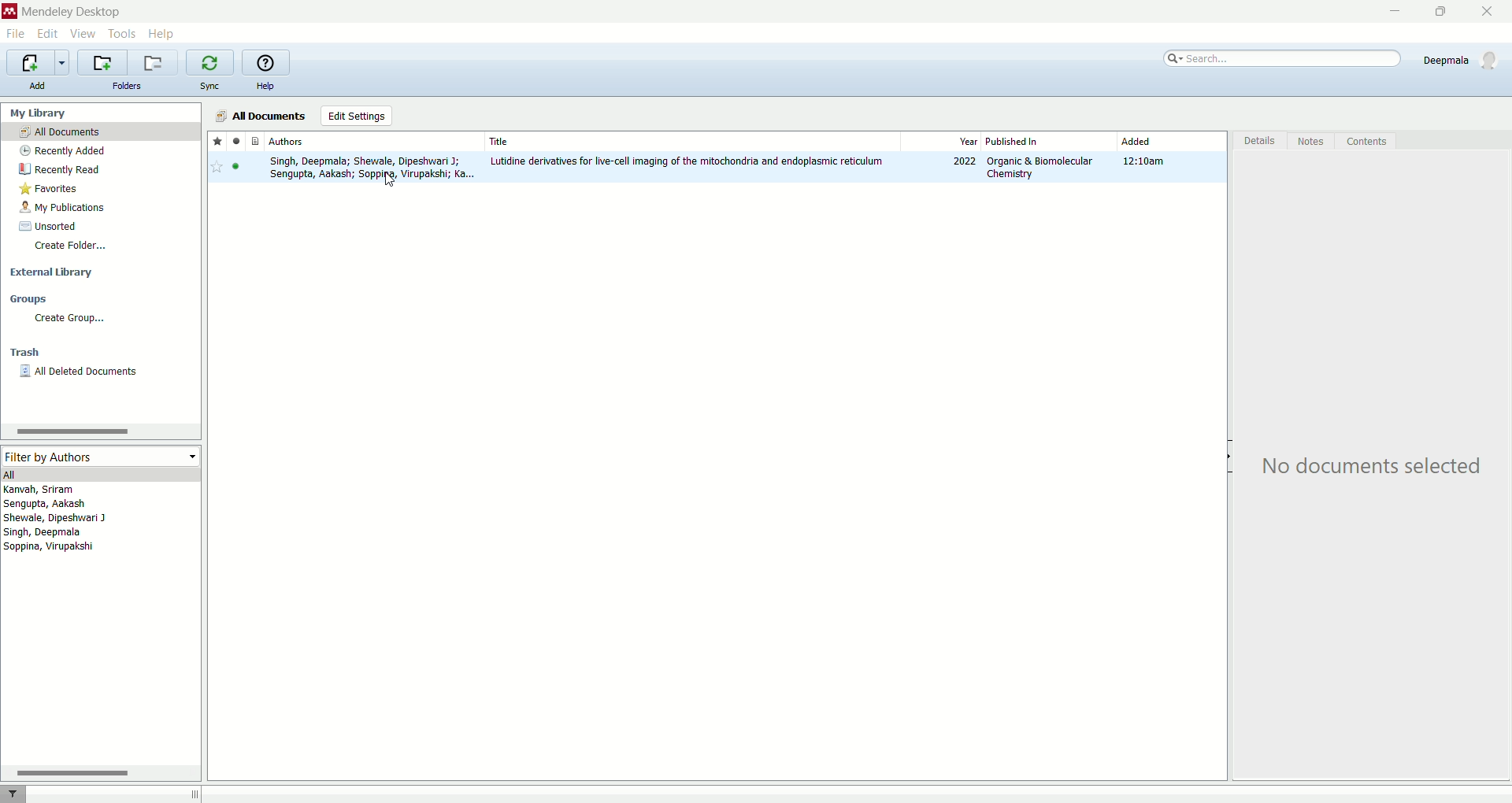 This screenshot has height=803, width=1512. What do you see at coordinates (369, 168) in the screenshot?
I see `Singh, Deepmala; Shewale, Dipeshwari J; Sengupta, Aakash; Soppira, Virupakshi; Ka.` at bounding box center [369, 168].